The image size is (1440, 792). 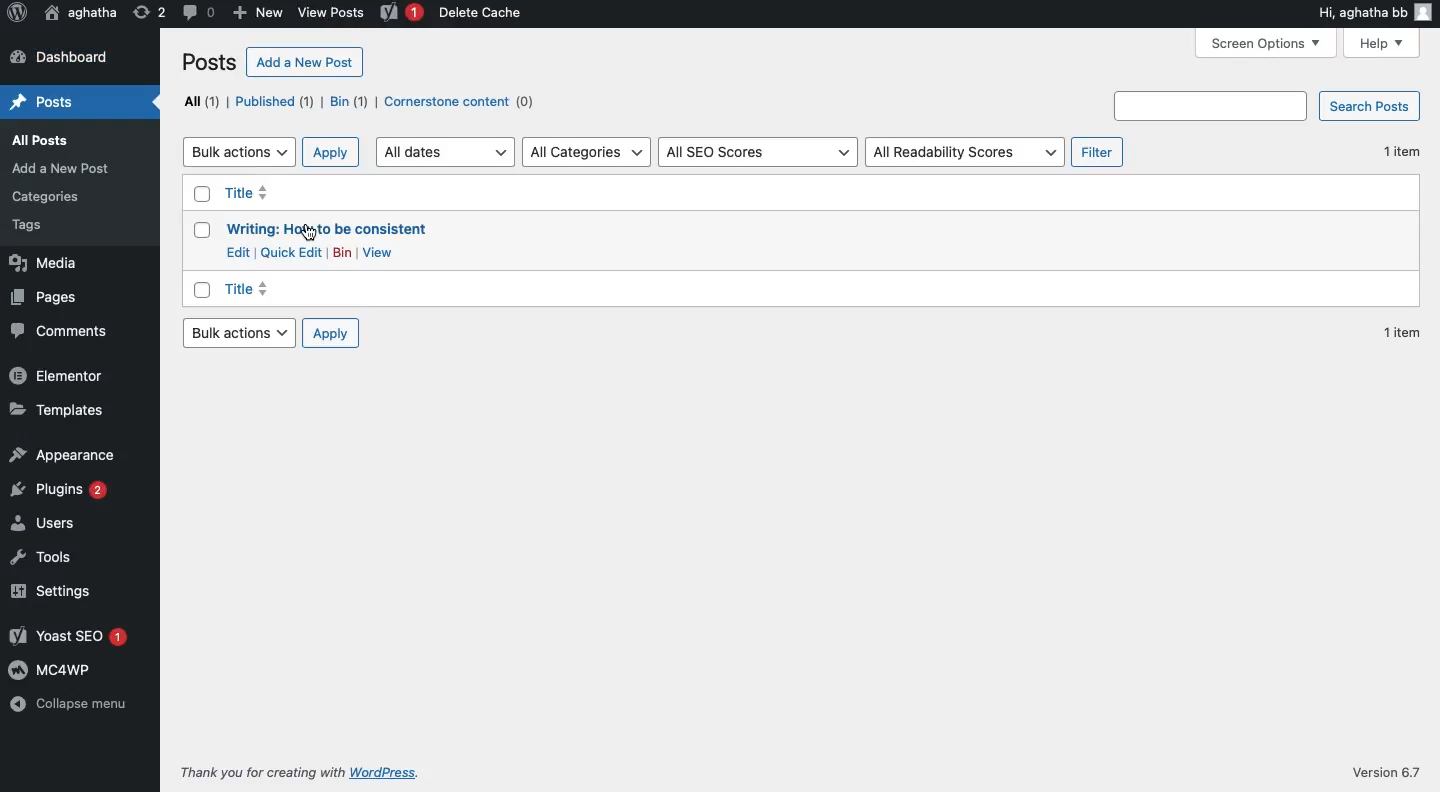 I want to click on All Posts, so click(x=45, y=140).